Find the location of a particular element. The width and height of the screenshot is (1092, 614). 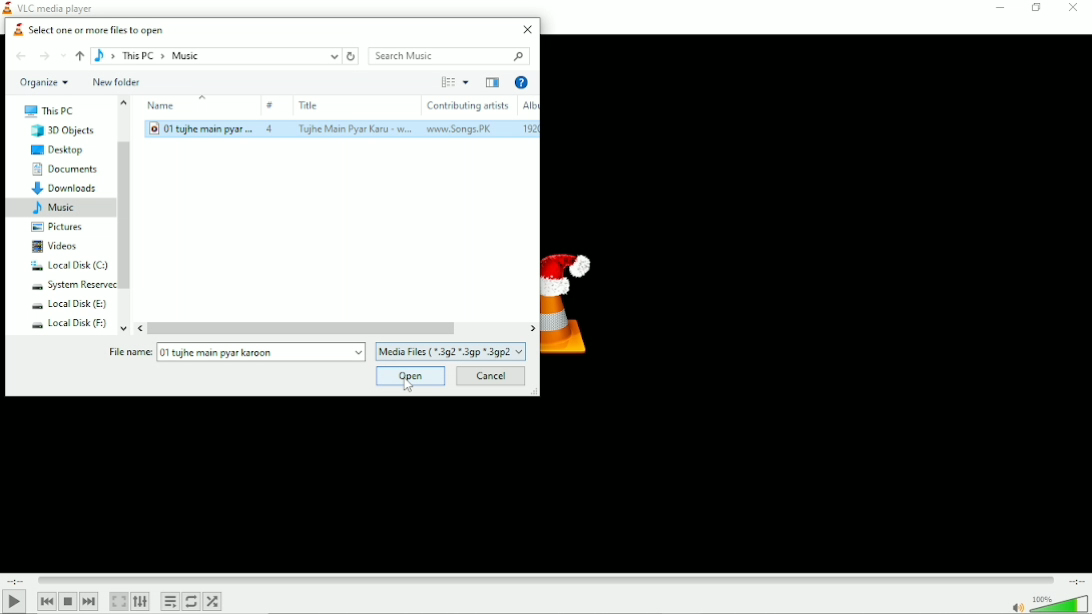

up to ''This PC'' is located at coordinates (80, 56).